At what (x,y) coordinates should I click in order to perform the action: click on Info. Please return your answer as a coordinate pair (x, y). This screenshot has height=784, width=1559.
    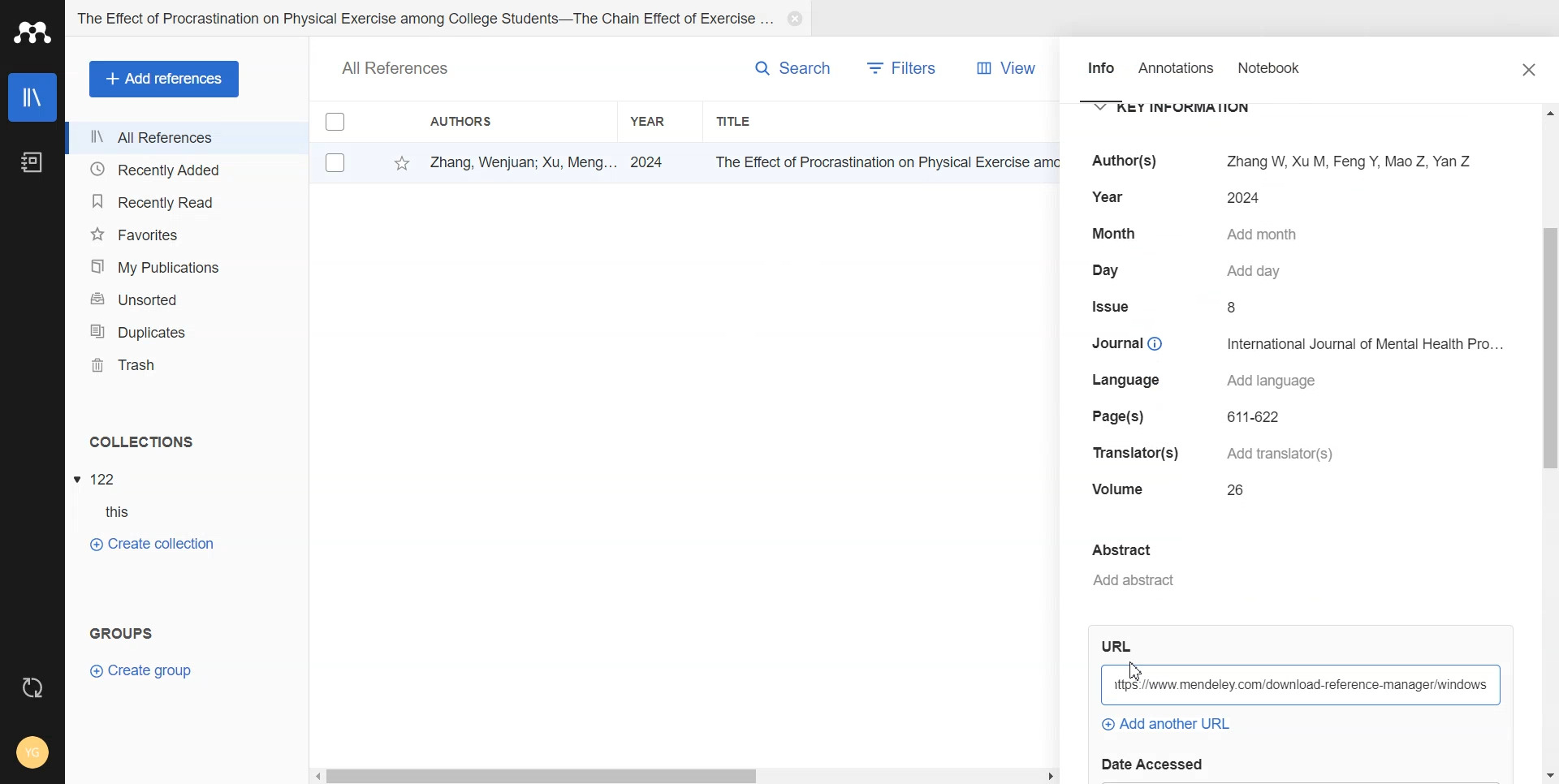
    Looking at the image, I should click on (1099, 75).